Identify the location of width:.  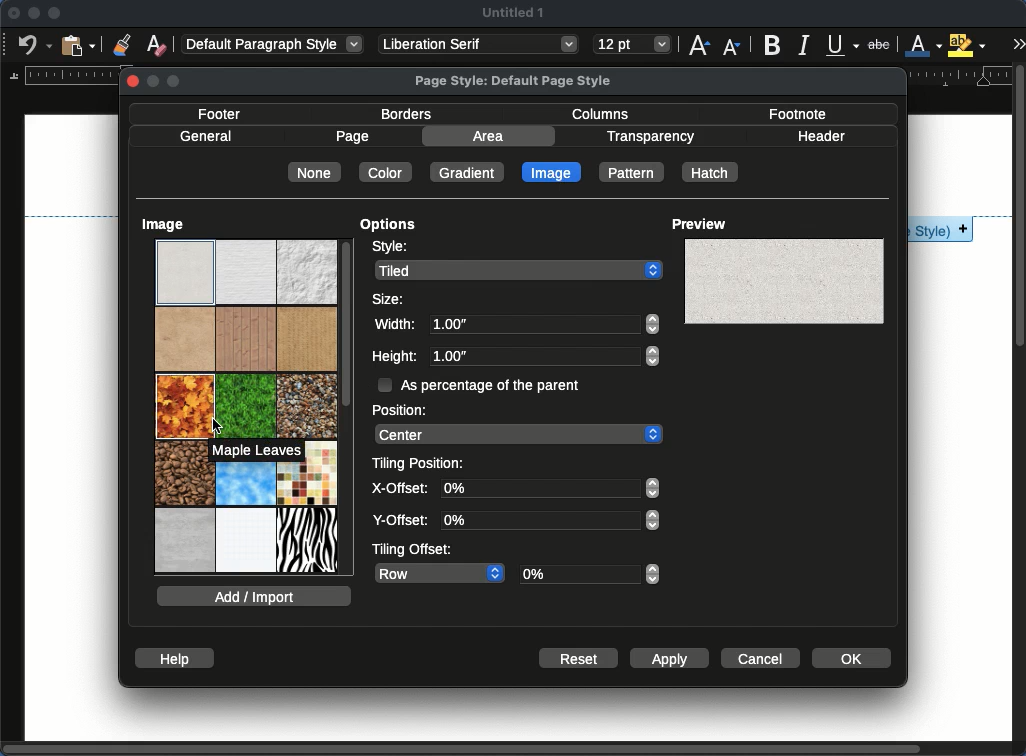
(394, 323).